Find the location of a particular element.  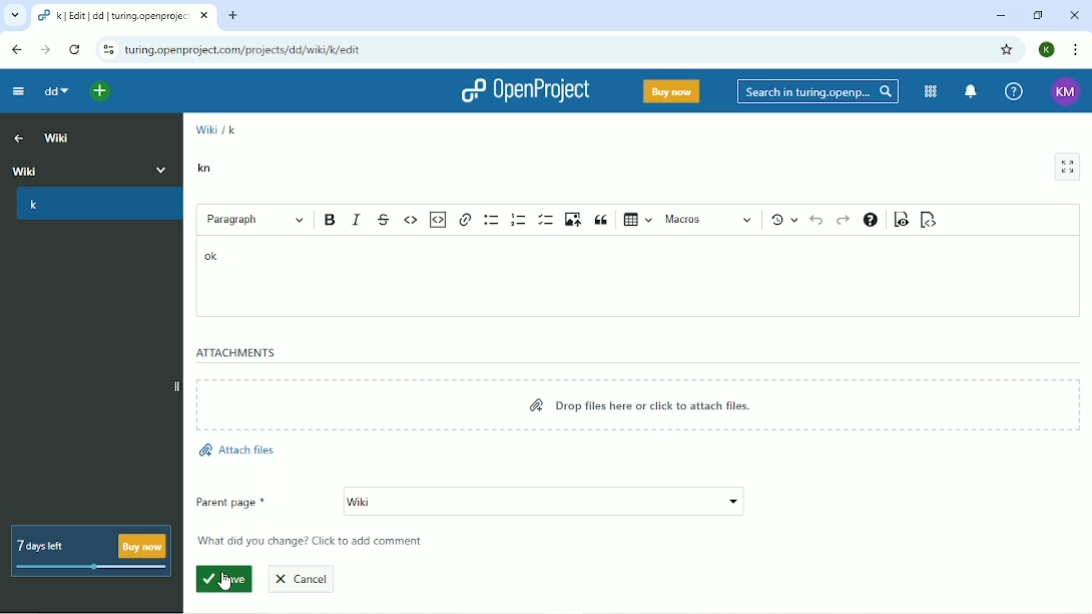

Undo is located at coordinates (817, 222).